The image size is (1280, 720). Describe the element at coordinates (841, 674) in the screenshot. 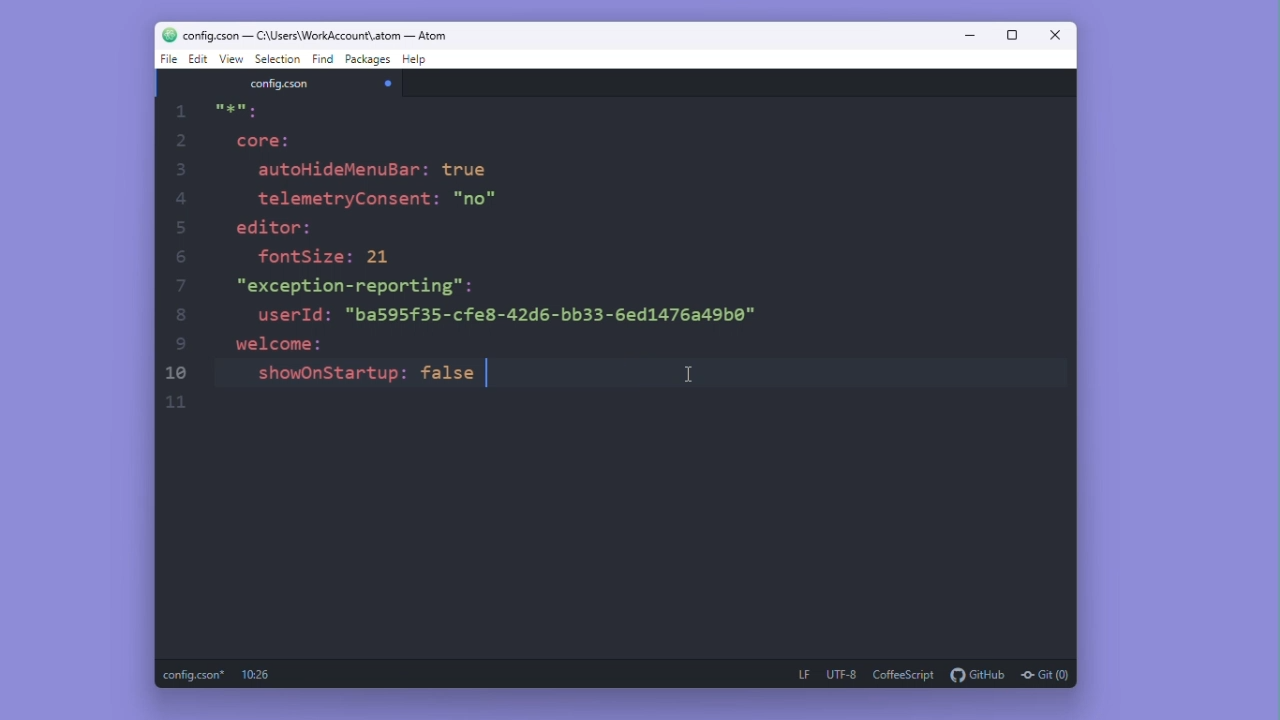

I see `utf-8` at that location.